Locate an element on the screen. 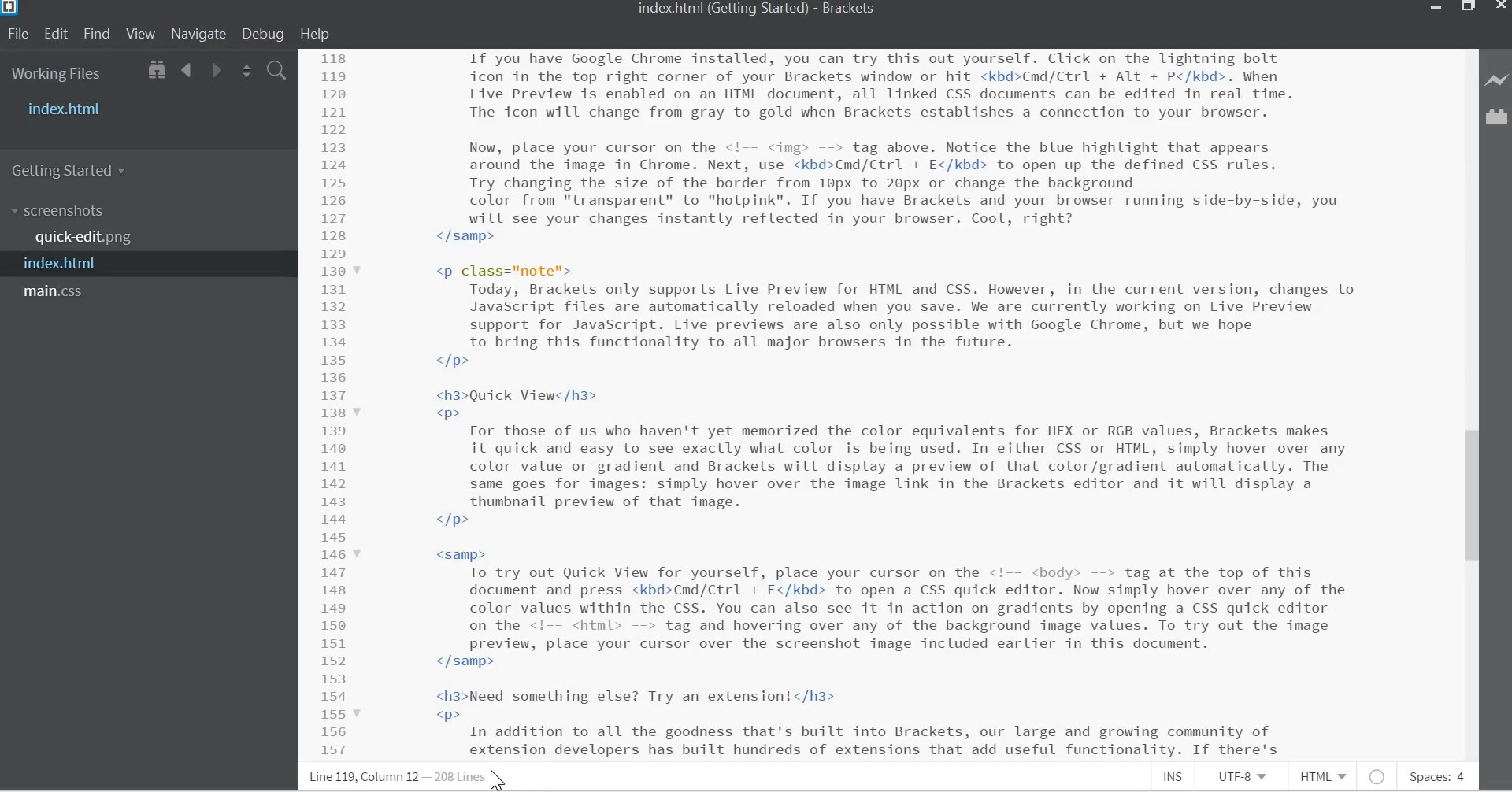 Image resolution: width=1512 pixels, height=792 pixels. Cursor is located at coordinates (498, 781).